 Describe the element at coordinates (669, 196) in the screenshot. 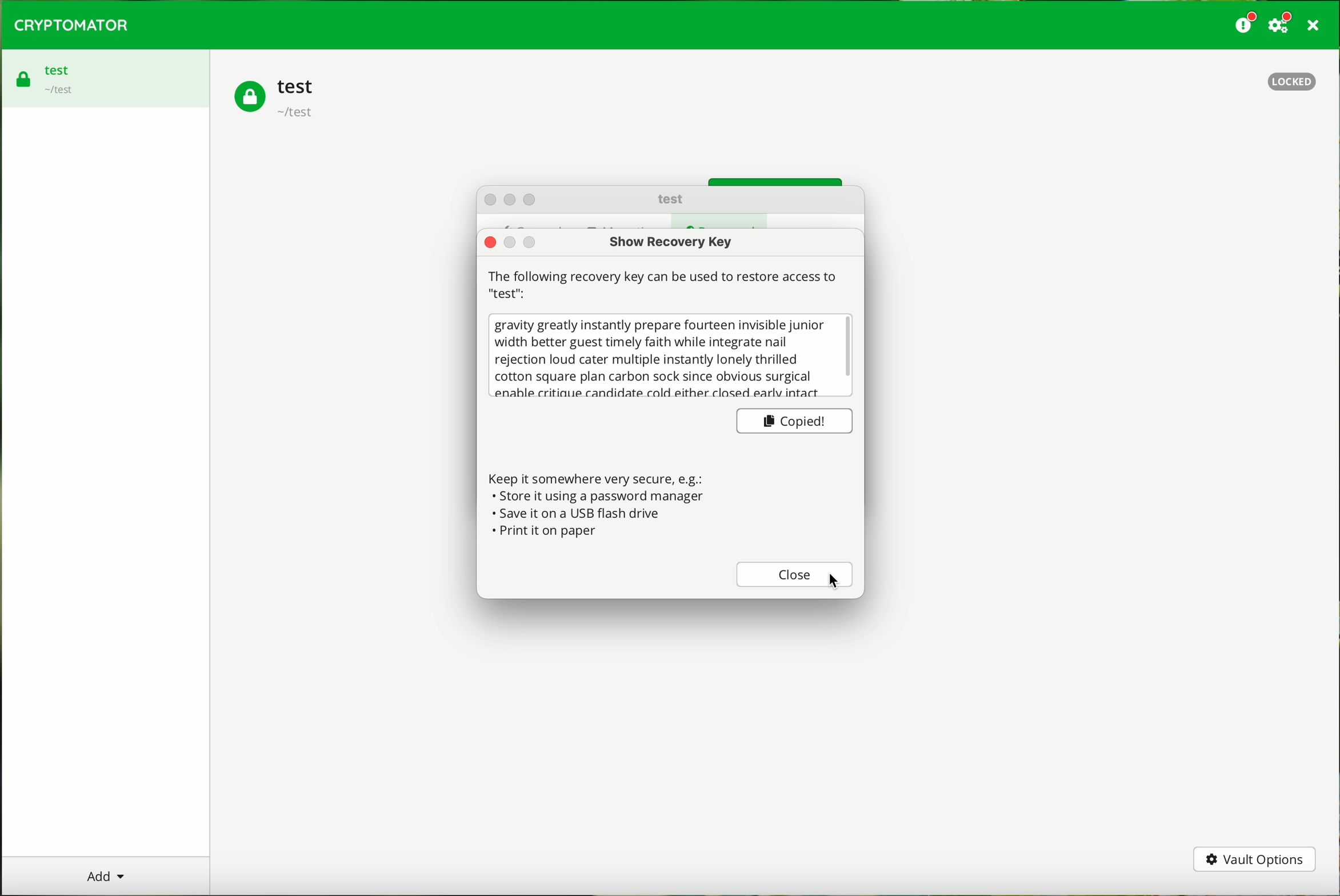

I see `test` at that location.